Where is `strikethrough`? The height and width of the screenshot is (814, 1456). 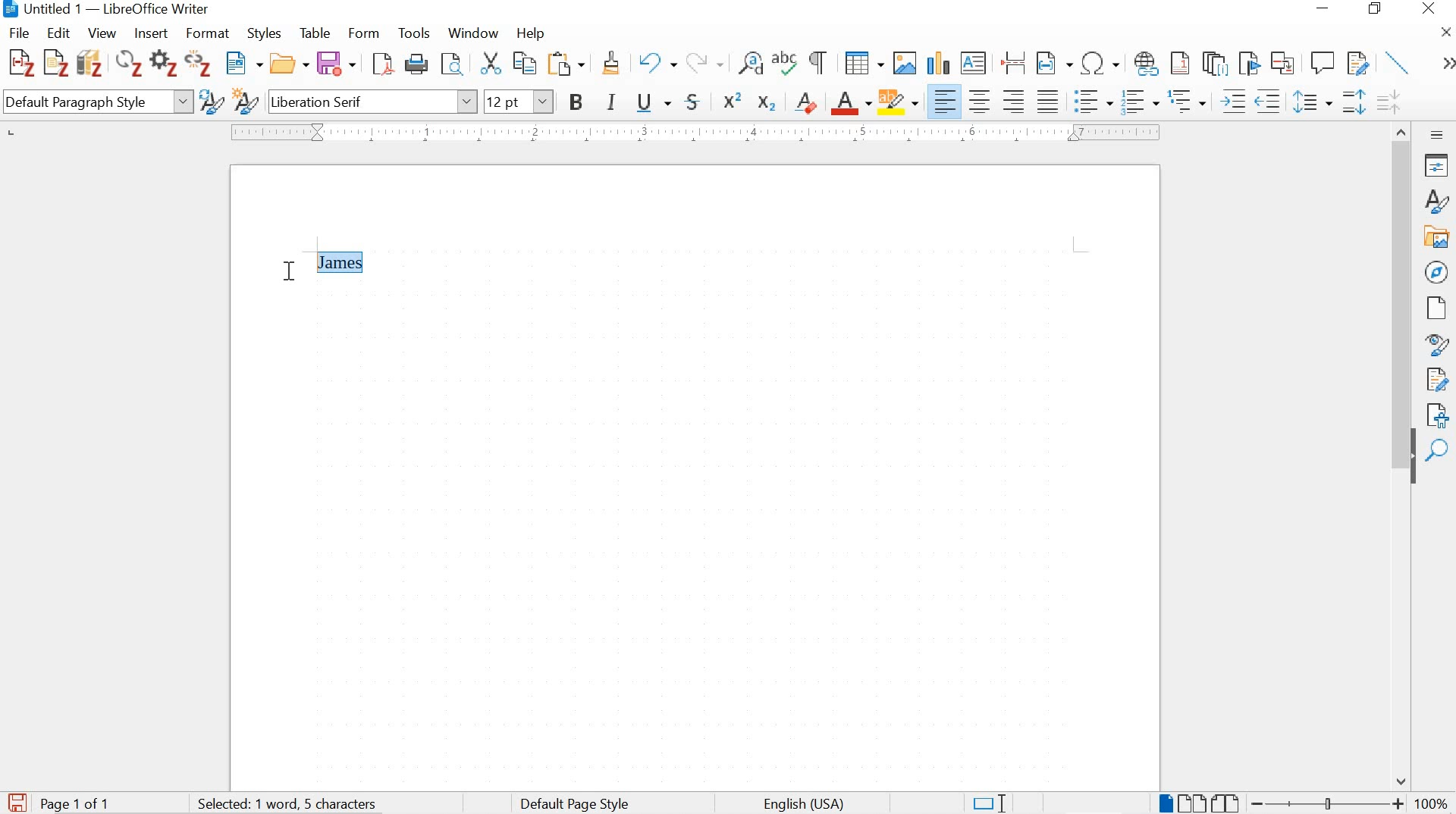 strikethrough is located at coordinates (696, 102).